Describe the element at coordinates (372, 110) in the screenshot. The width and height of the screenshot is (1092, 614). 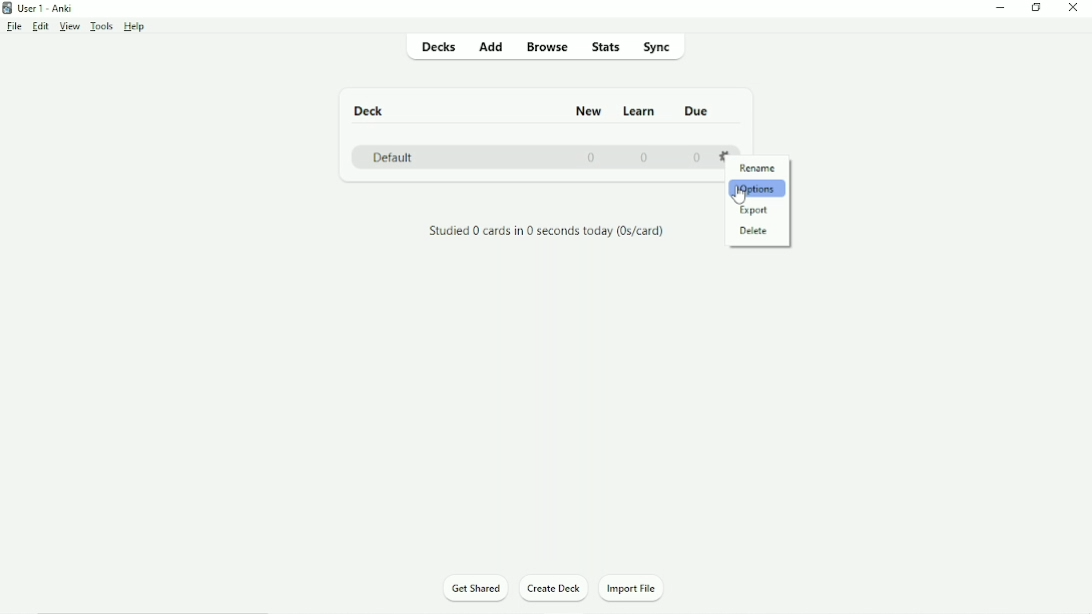
I see `Deck` at that location.